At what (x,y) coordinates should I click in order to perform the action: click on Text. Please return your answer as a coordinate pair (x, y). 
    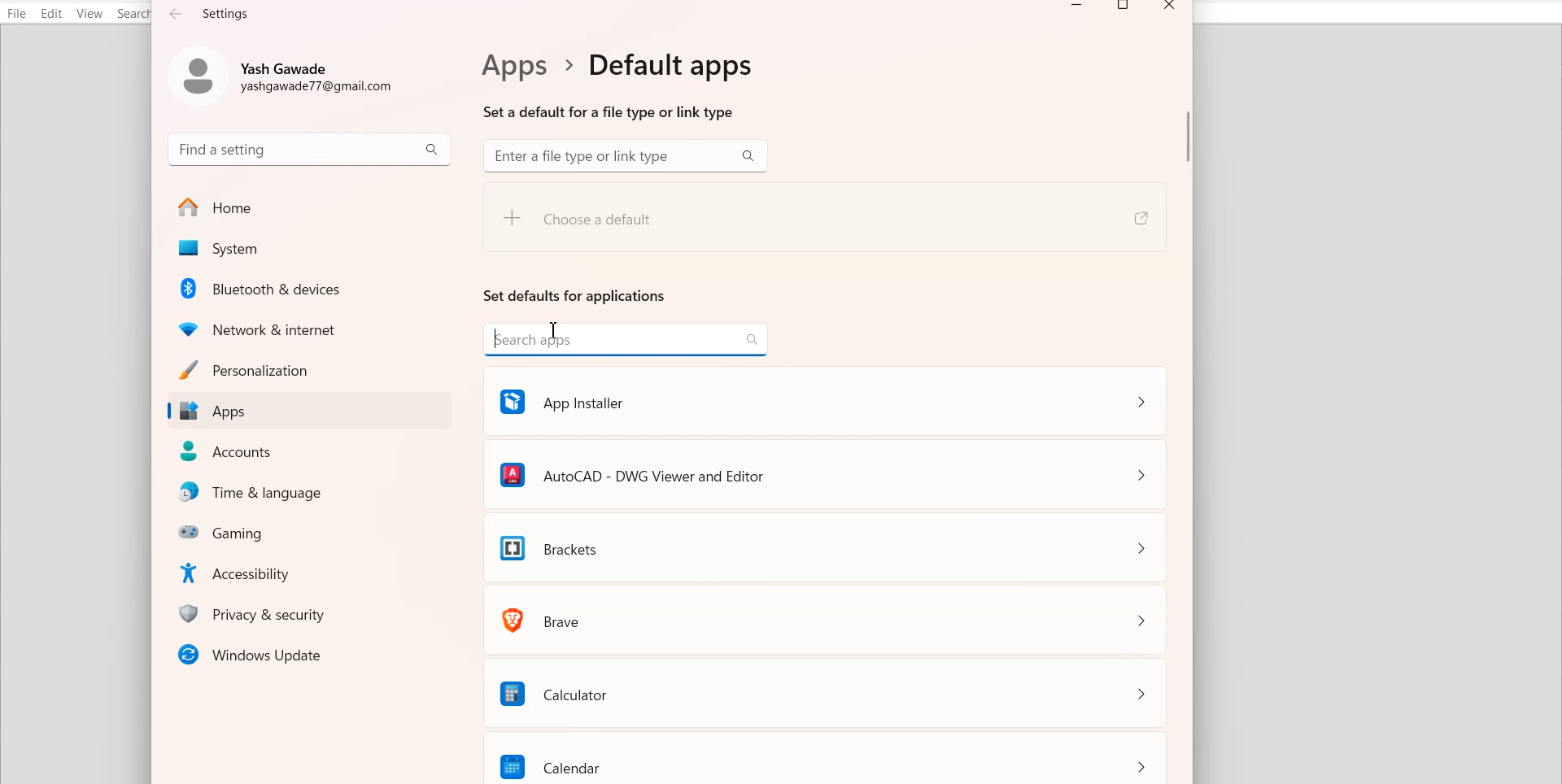
    Looking at the image, I should click on (613, 85).